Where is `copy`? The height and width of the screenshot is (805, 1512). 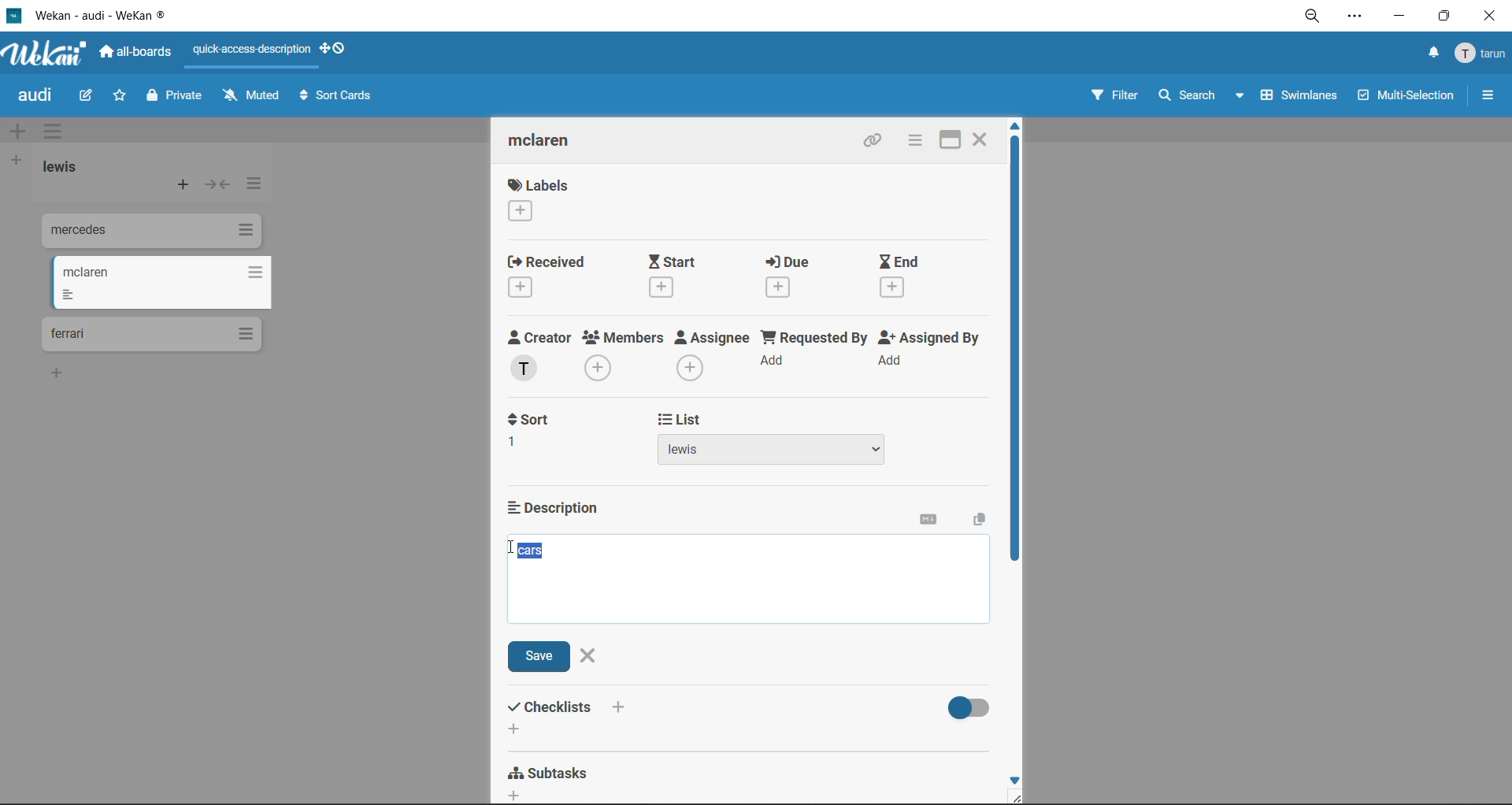
copy is located at coordinates (976, 521).